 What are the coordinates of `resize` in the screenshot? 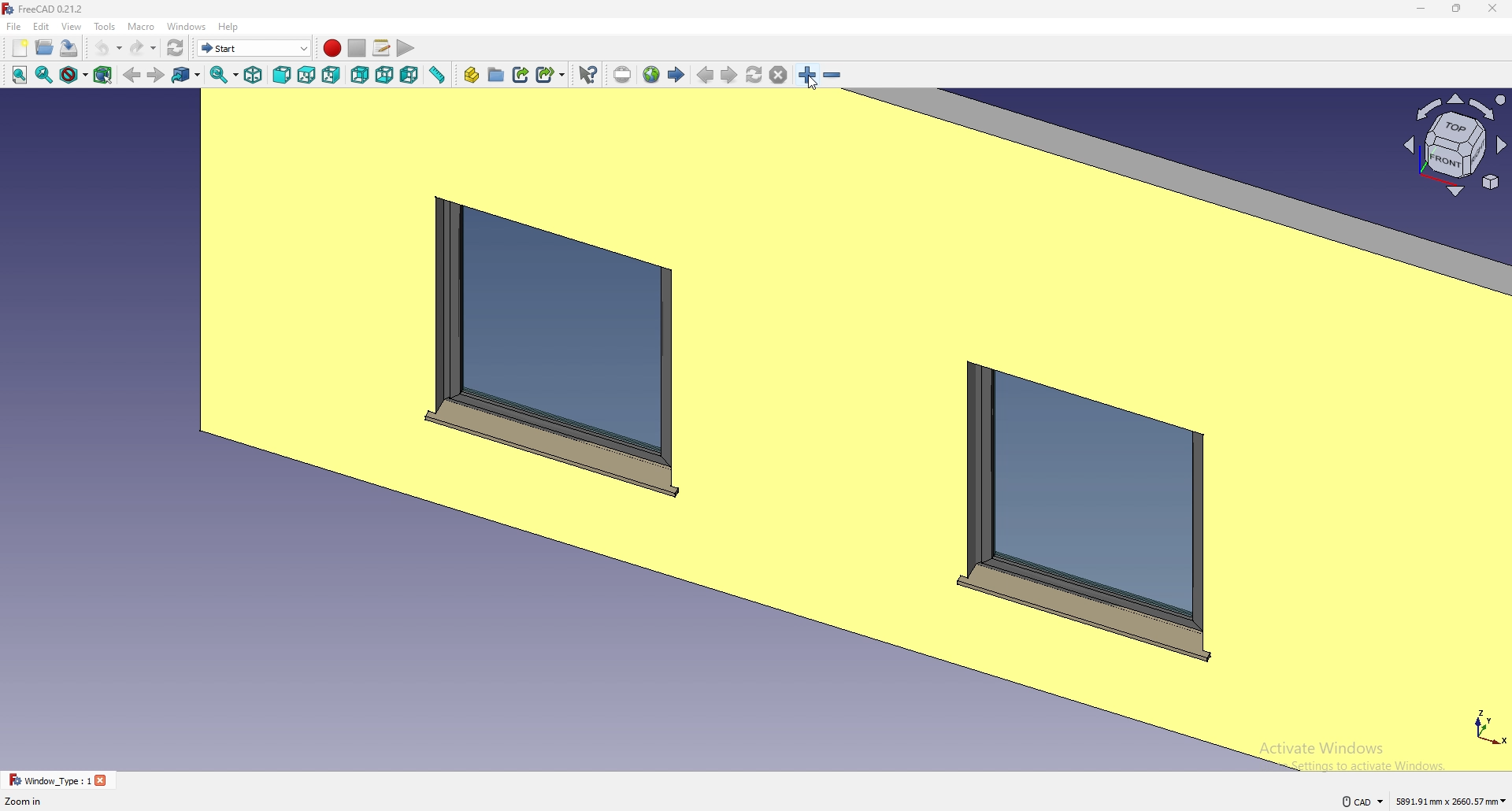 It's located at (1458, 9).